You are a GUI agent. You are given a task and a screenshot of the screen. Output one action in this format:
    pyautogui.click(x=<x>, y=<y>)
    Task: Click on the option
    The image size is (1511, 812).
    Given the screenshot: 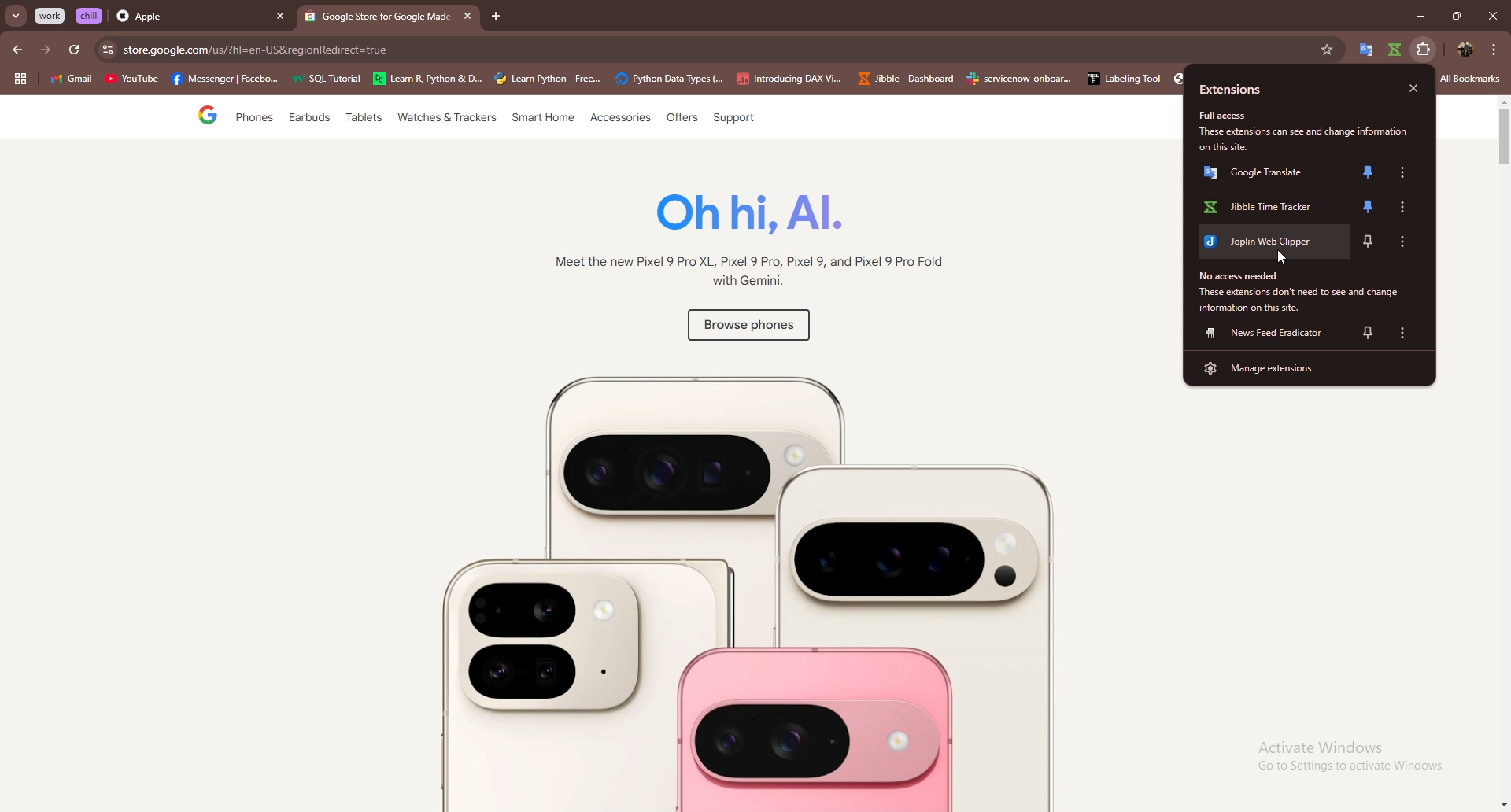 What is the action you would take?
    pyautogui.click(x=1405, y=333)
    